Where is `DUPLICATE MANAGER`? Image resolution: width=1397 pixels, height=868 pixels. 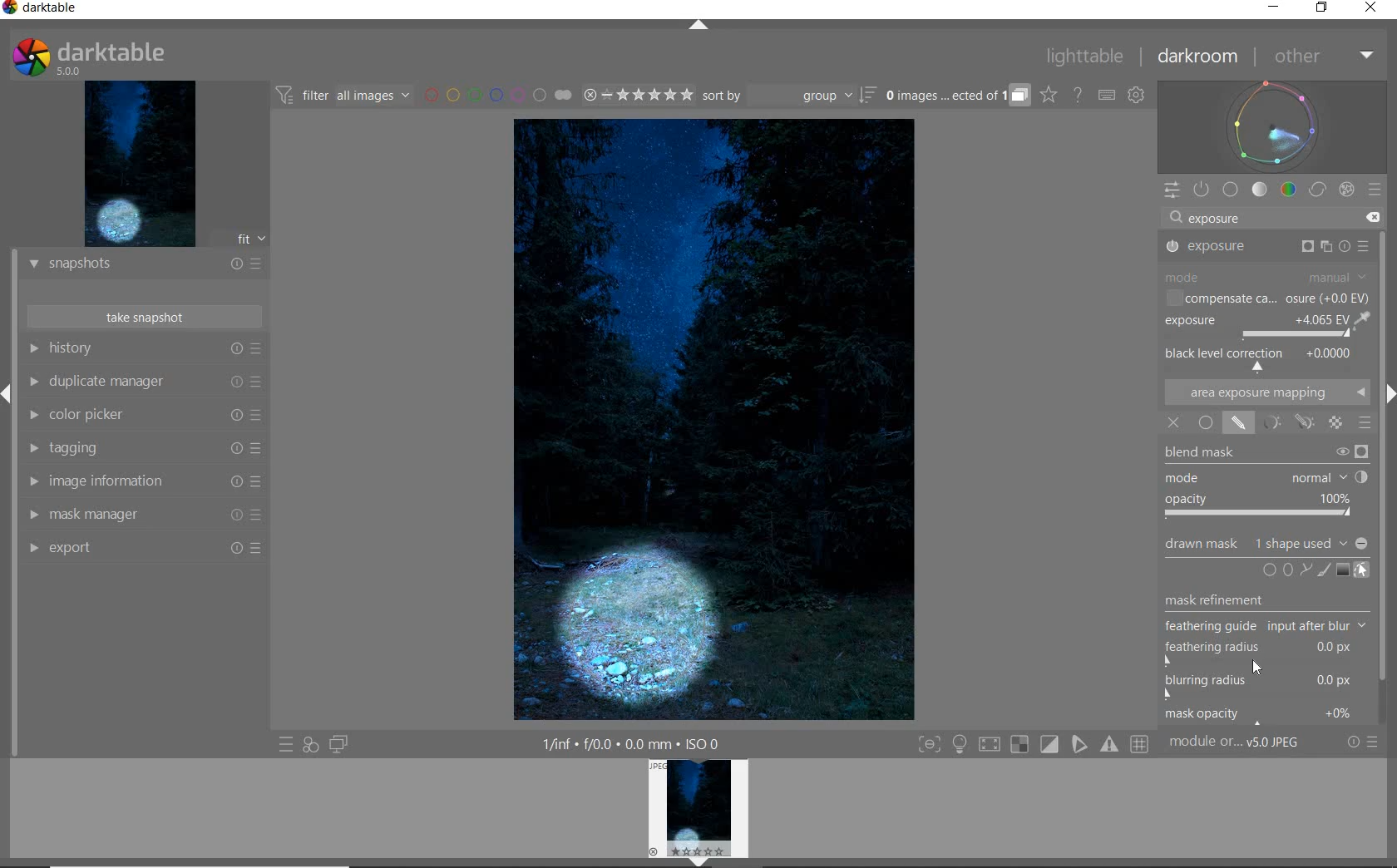
DUPLICATE MANAGER is located at coordinates (143, 382).